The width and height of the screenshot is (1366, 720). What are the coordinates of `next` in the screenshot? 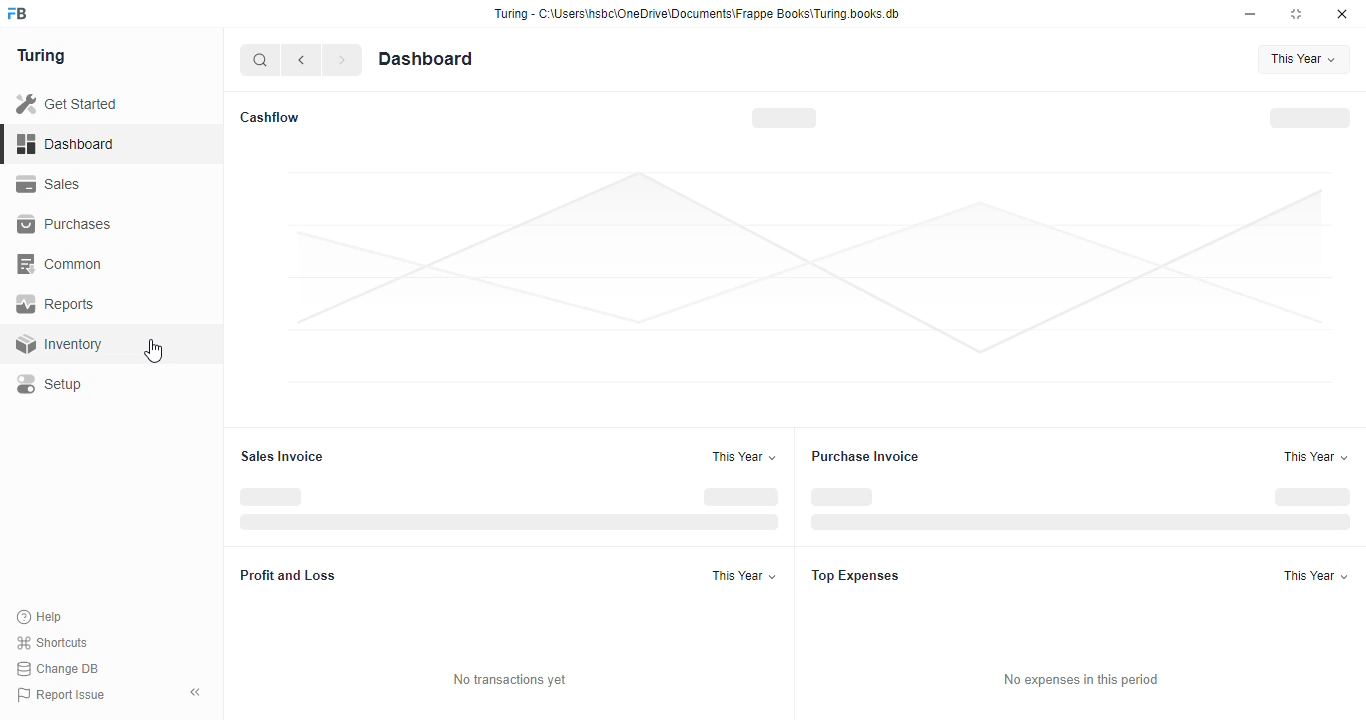 It's located at (342, 60).